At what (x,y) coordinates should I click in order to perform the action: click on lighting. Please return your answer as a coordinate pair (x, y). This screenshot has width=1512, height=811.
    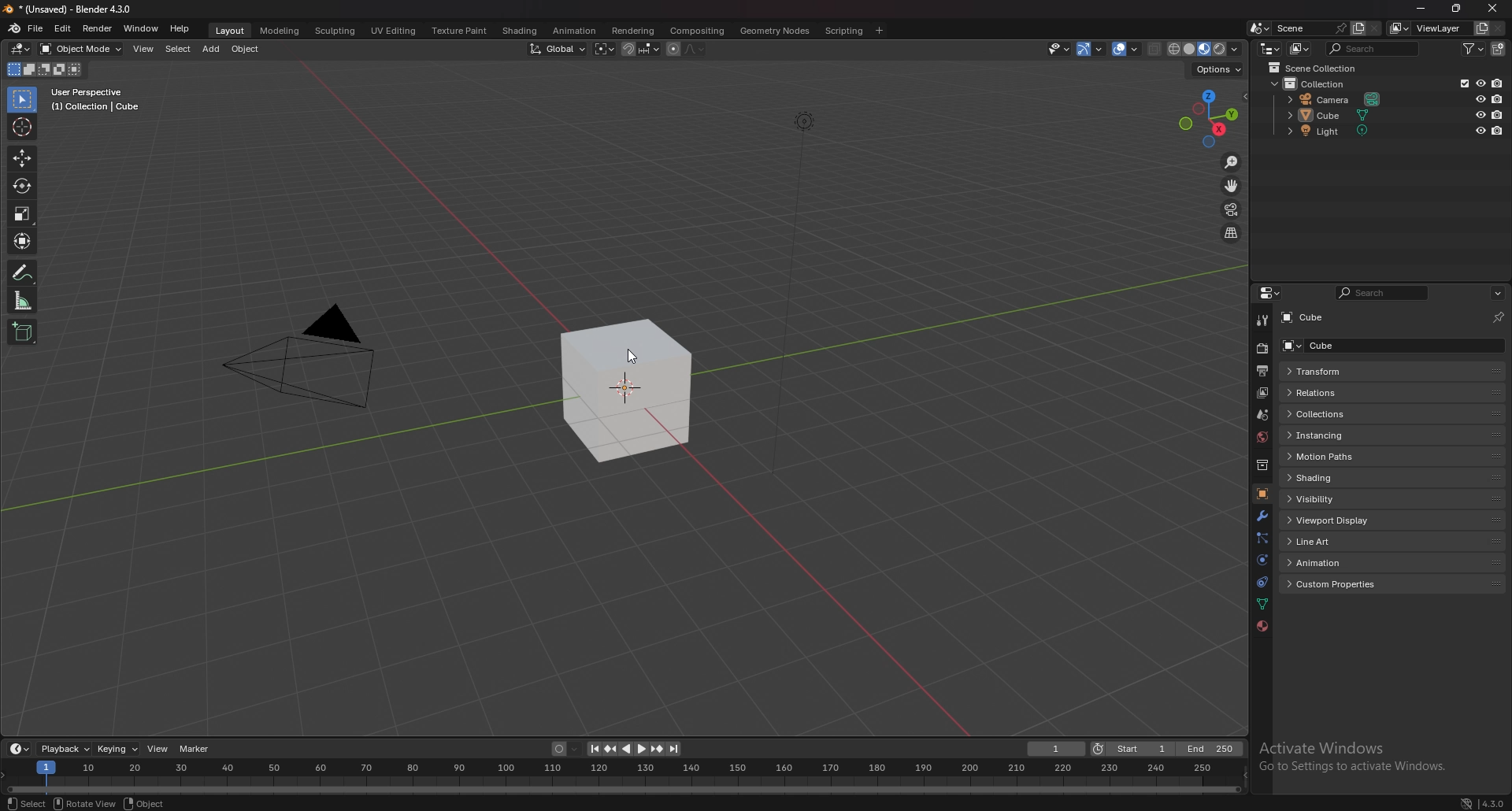
    Looking at the image, I should click on (803, 124).